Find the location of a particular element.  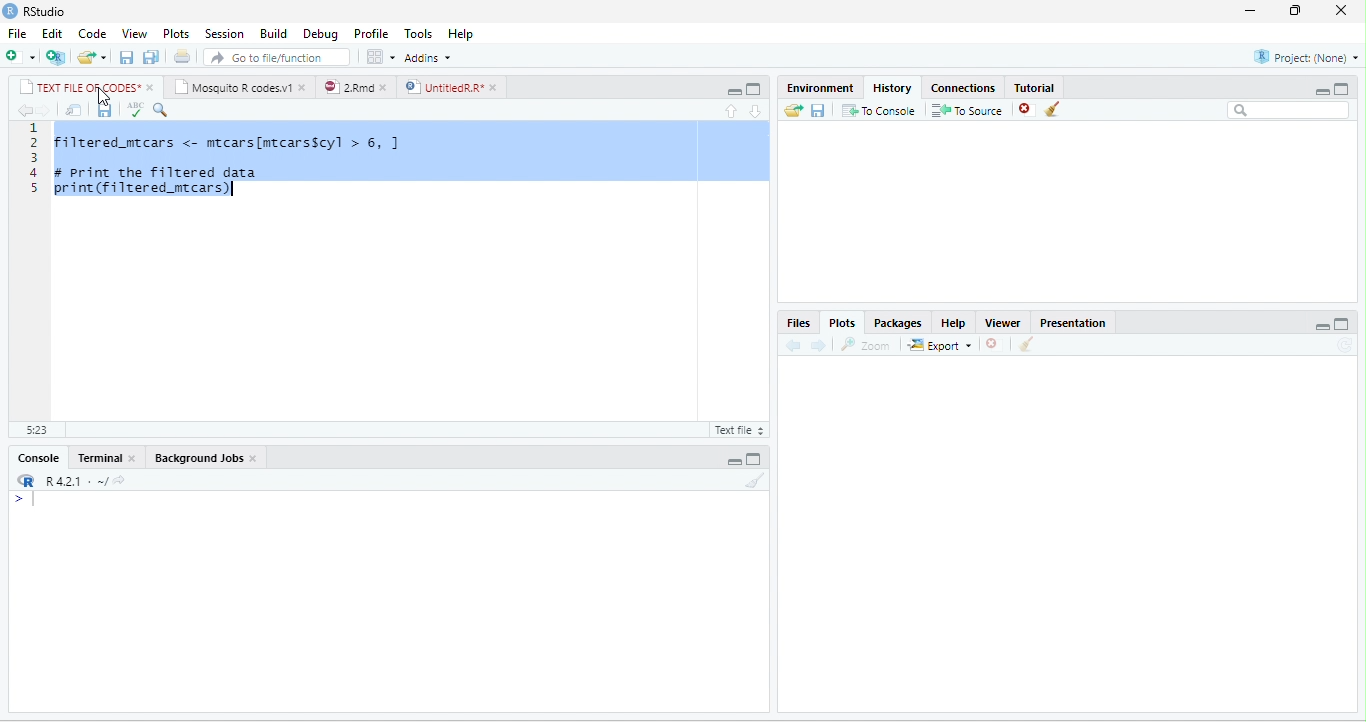

maximize is located at coordinates (1342, 324).